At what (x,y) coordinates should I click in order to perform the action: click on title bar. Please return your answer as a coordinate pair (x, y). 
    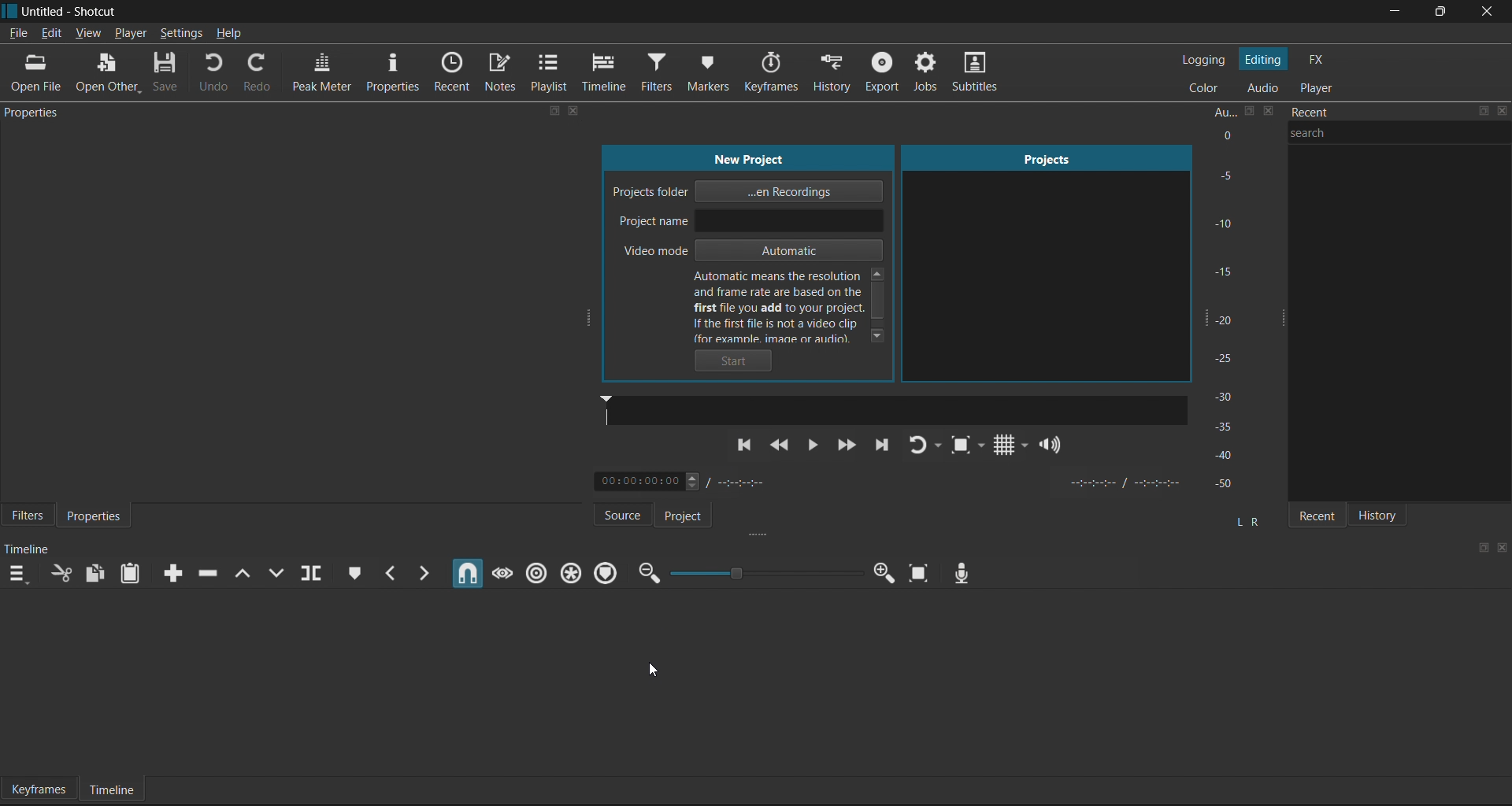
    Looking at the image, I should click on (685, 10).